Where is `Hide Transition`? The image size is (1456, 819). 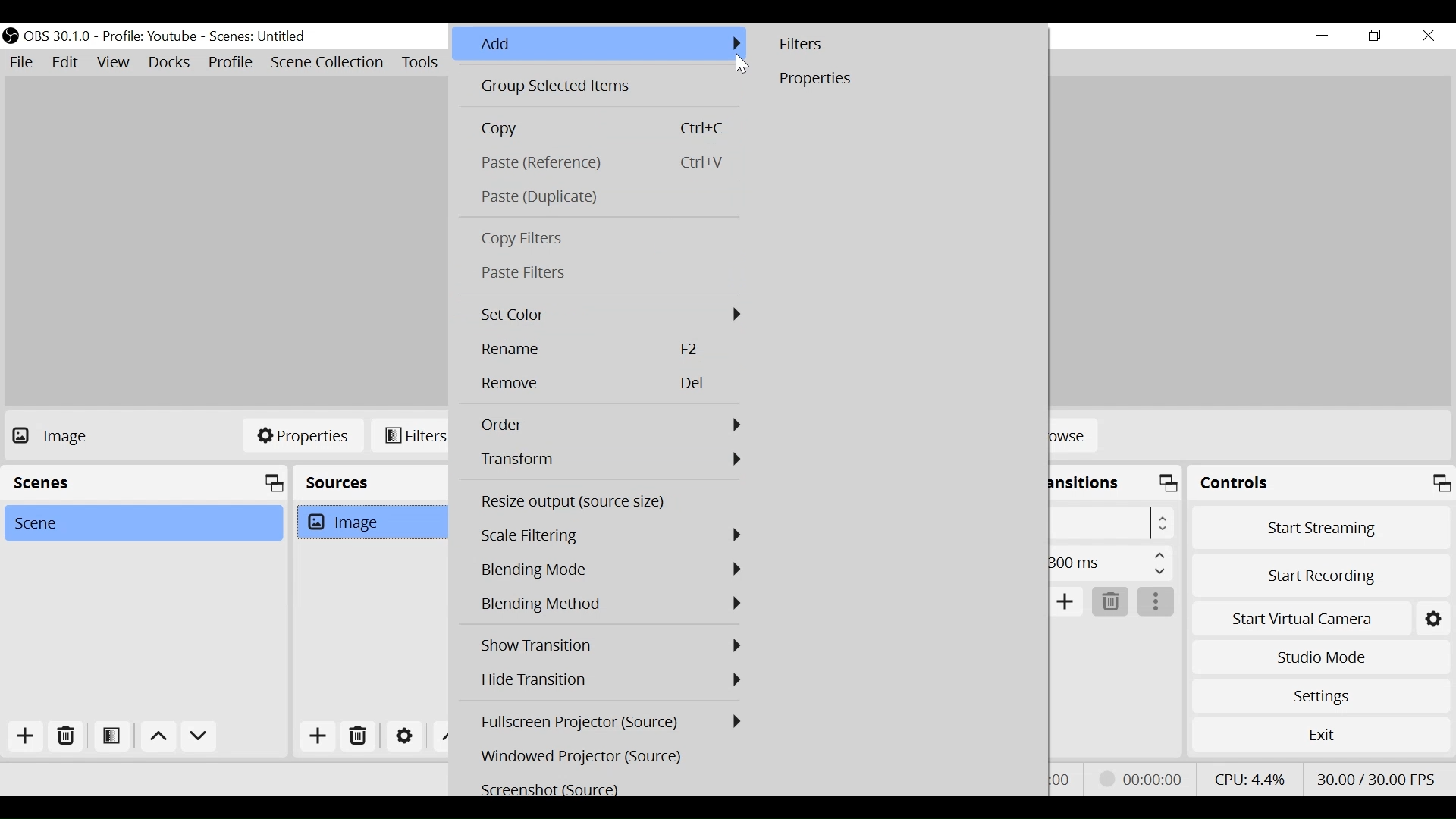
Hide Transition is located at coordinates (613, 680).